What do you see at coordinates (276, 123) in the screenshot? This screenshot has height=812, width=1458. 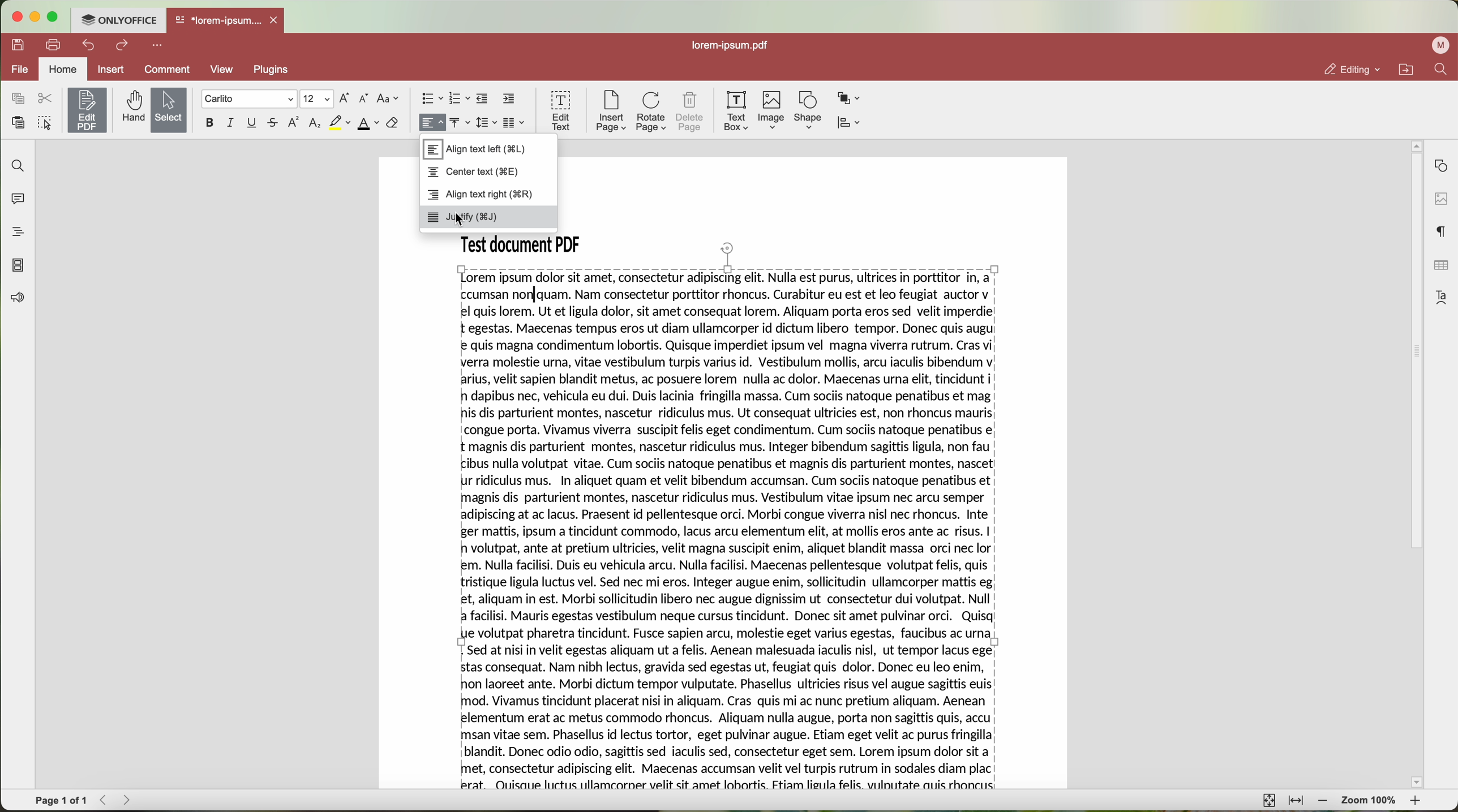 I see `strike out` at bounding box center [276, 123].